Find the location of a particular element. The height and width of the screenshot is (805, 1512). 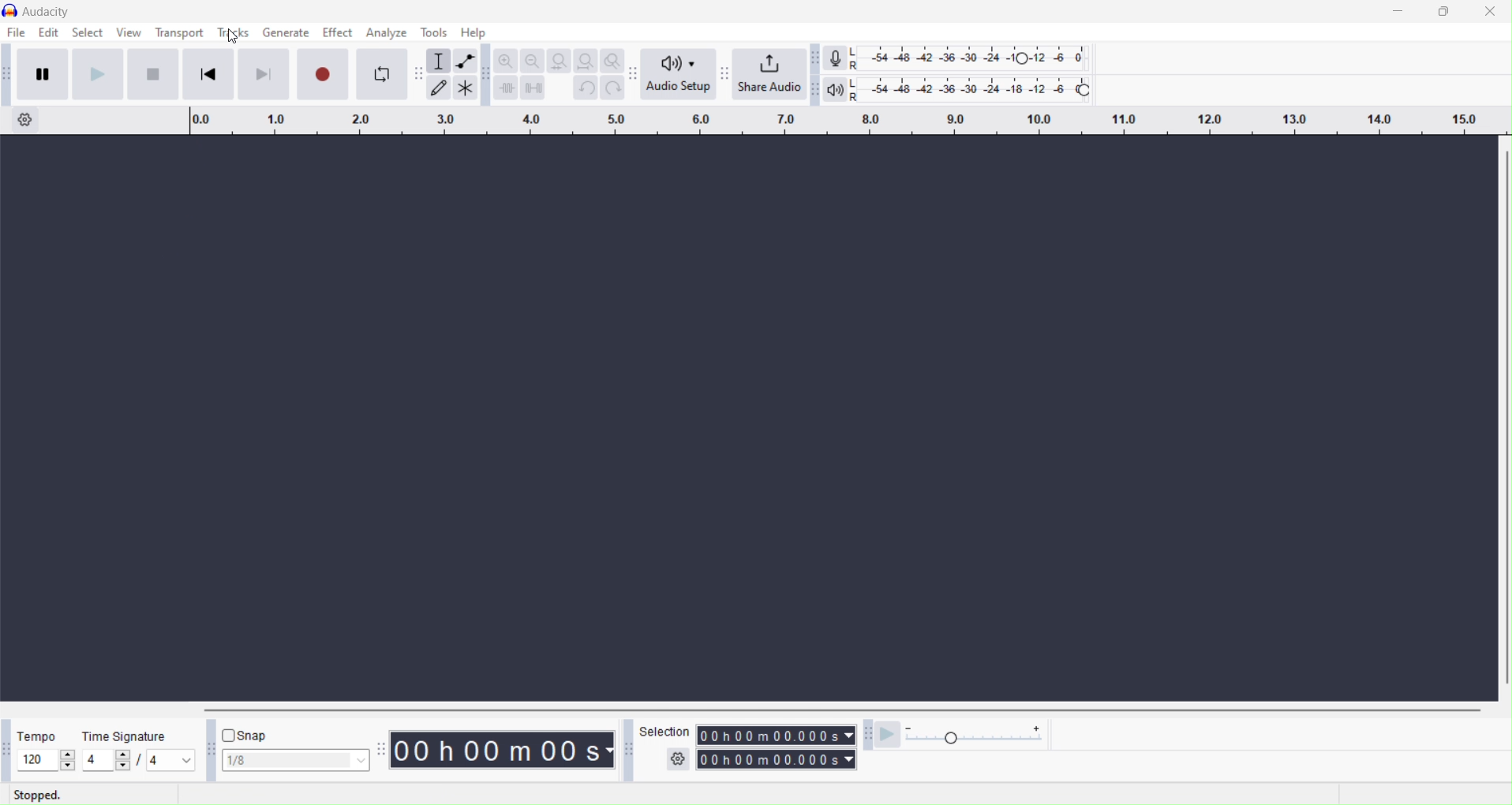

Timeline options is located at coordinates (22, 119).